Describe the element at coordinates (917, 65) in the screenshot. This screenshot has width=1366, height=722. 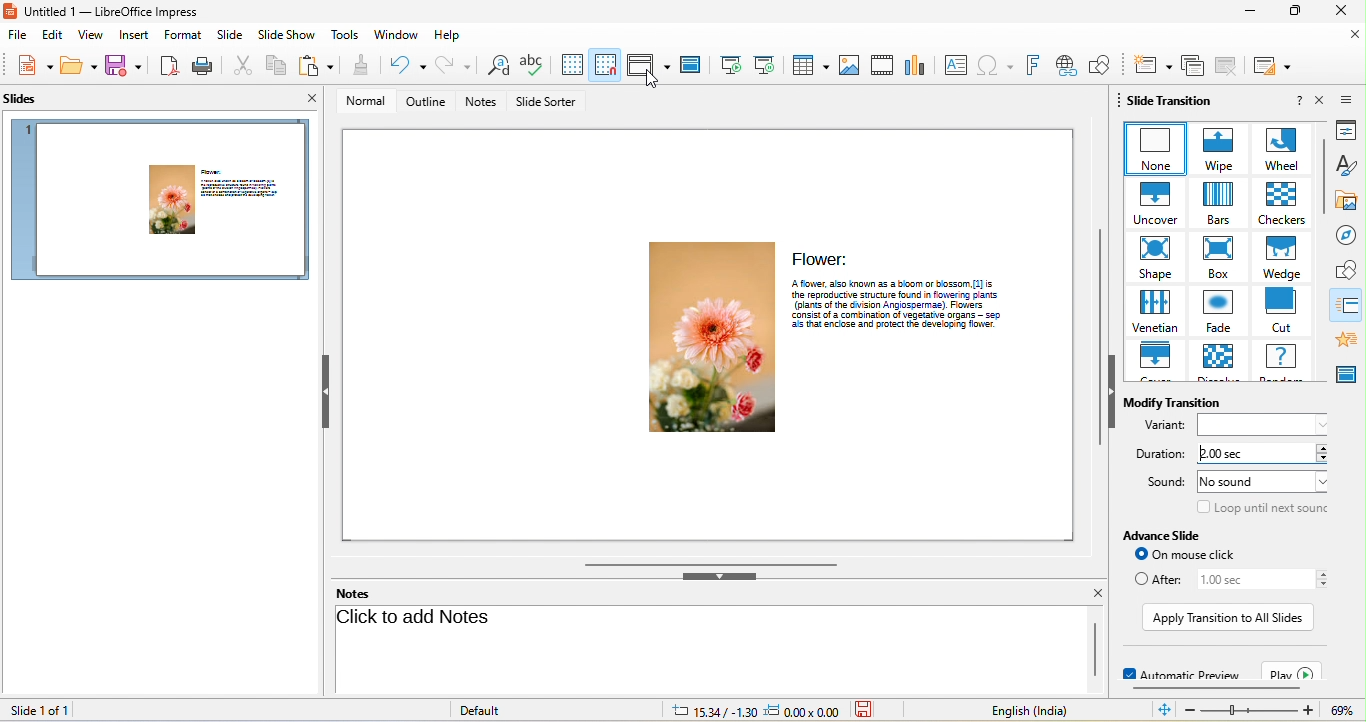
I see `chart` at that location.